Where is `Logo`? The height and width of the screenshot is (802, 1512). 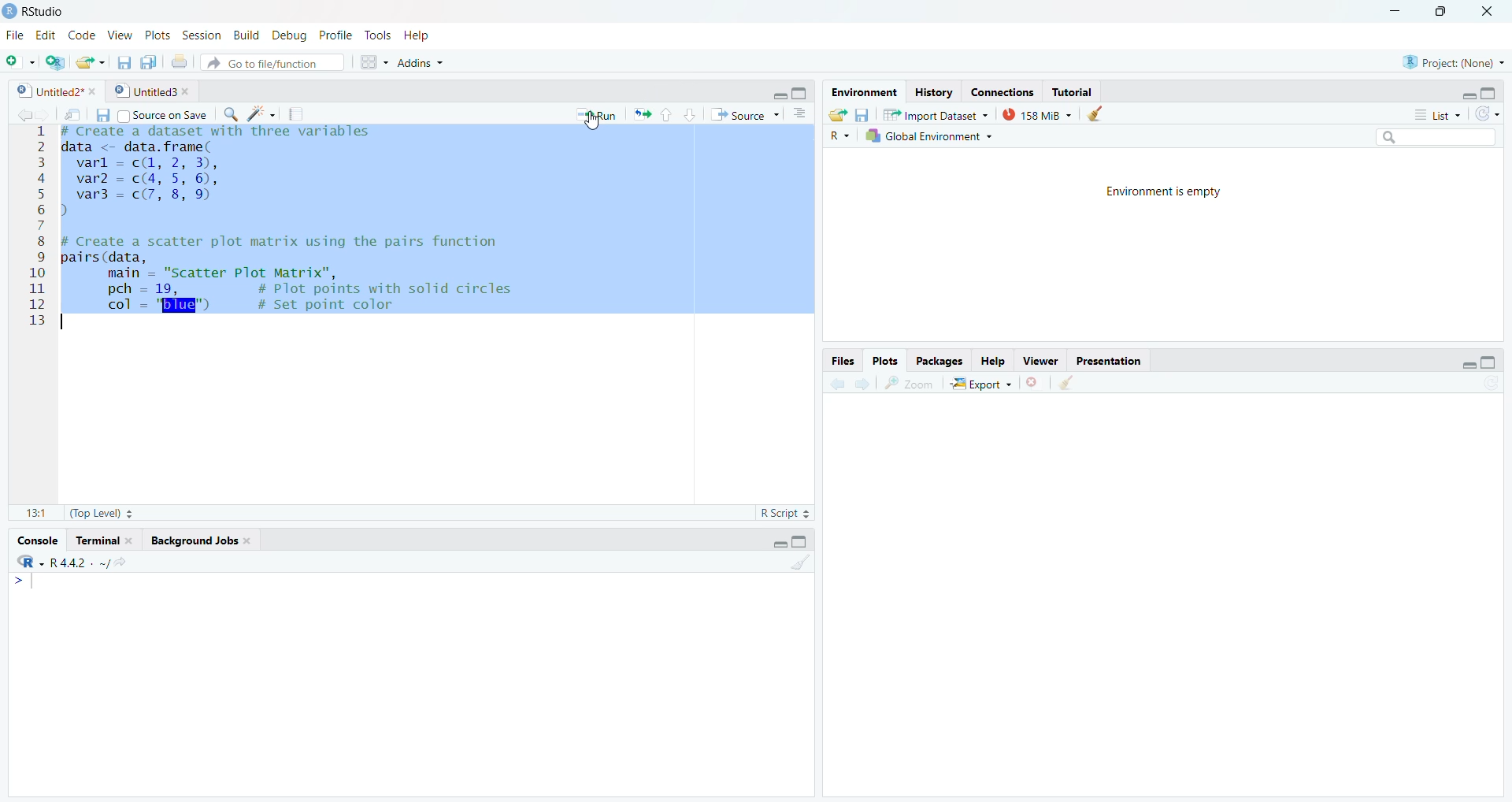 Logo is located at coordinates (9, 9).